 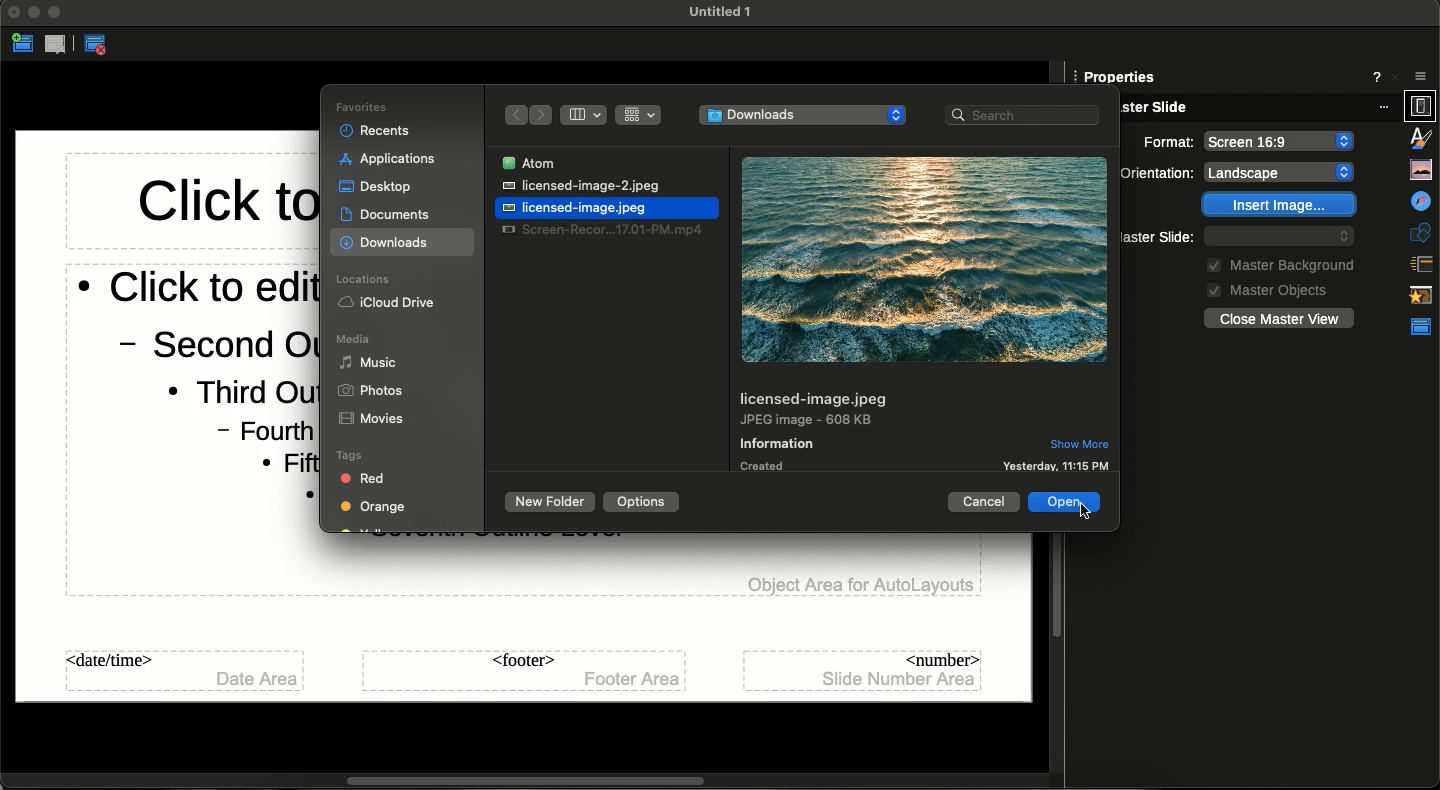 What do you see at coordinates (1380, 75) in the screenshot?
I see `More options` at bounding box center [1380, 75].